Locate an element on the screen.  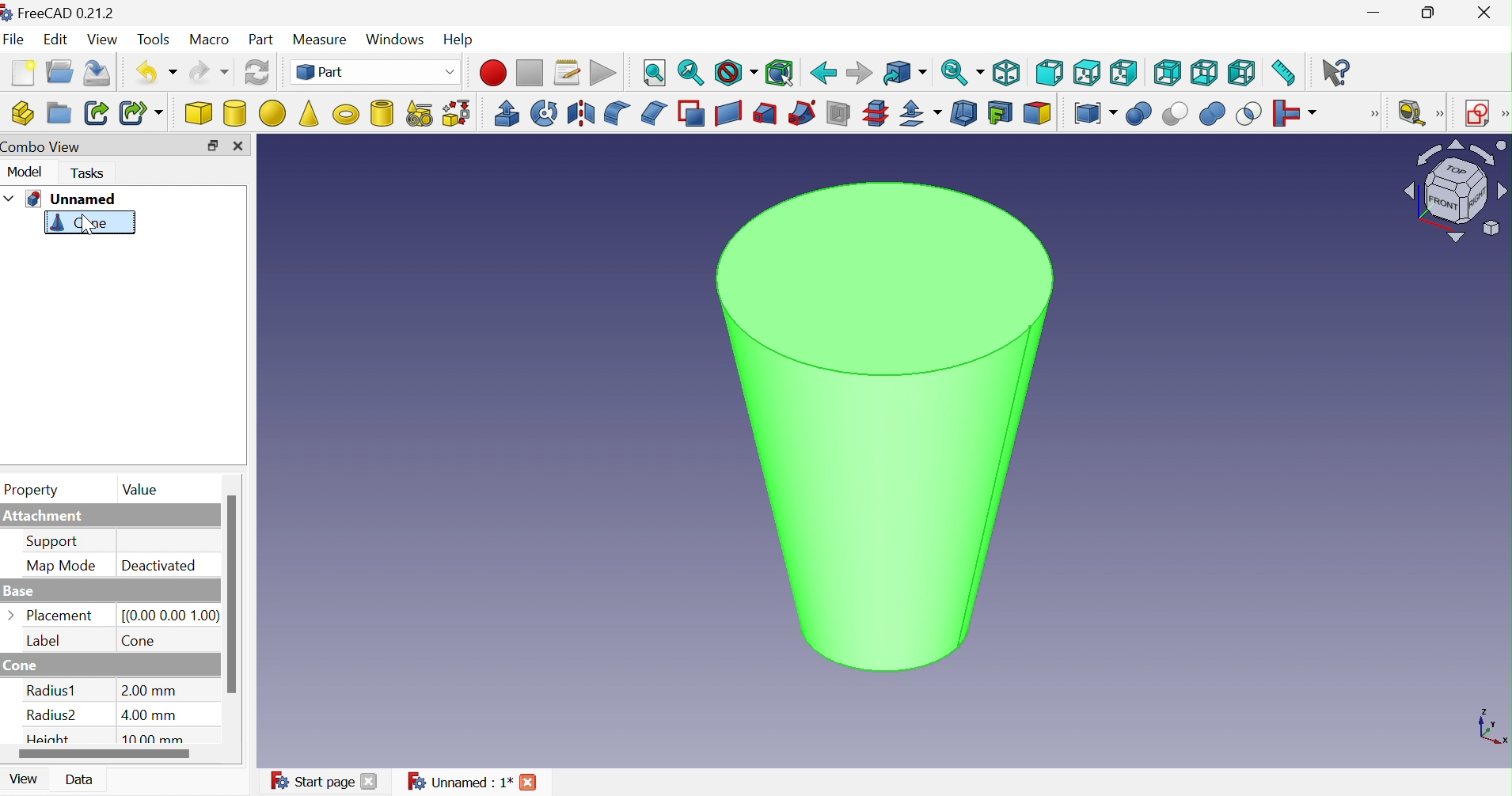
Revolve is located at coordinates (543, 112).